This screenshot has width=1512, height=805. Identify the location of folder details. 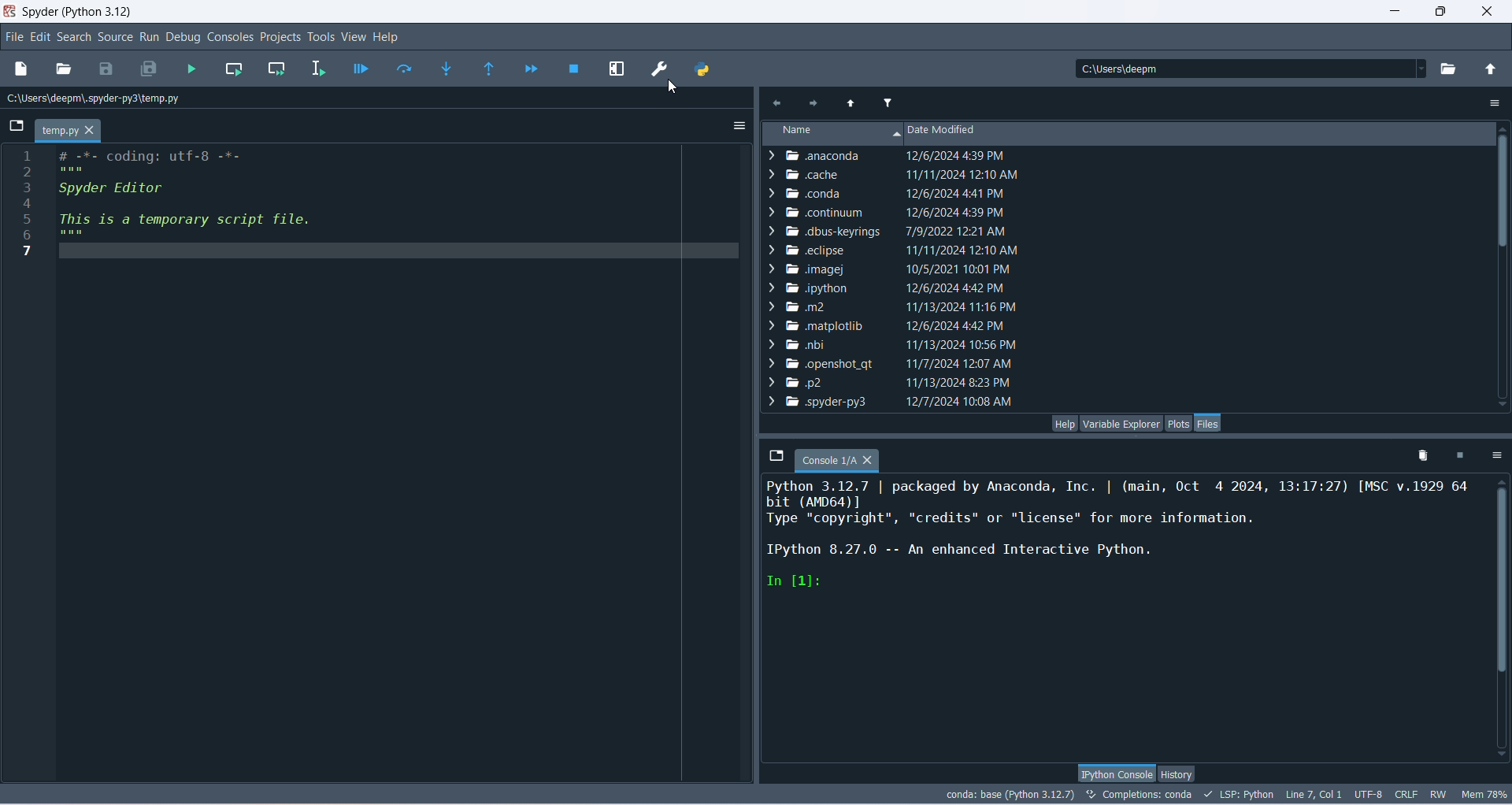
(899, 304).